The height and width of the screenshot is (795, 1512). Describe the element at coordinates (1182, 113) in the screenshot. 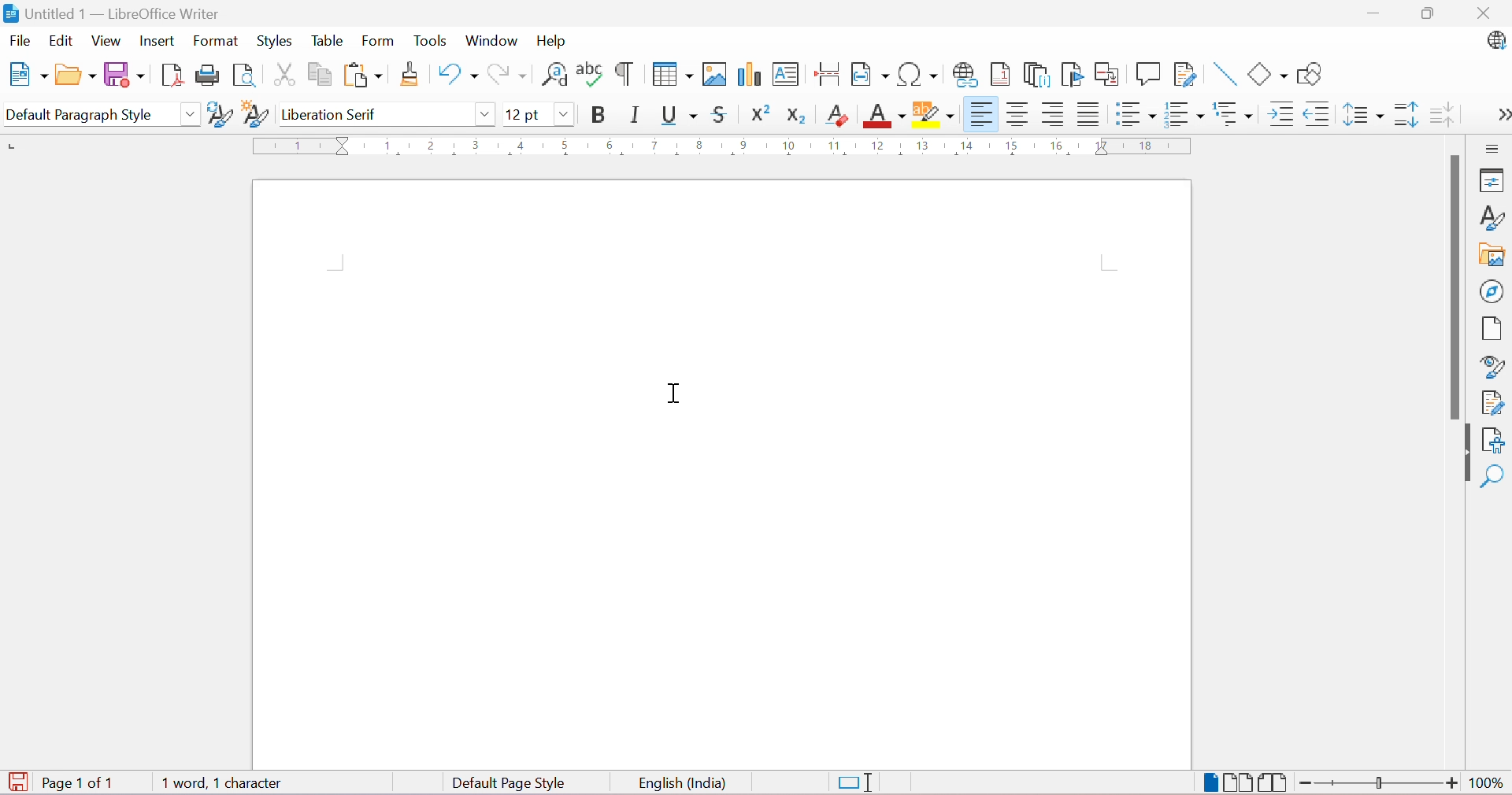

I see `Toggle Ordered List` at that location.